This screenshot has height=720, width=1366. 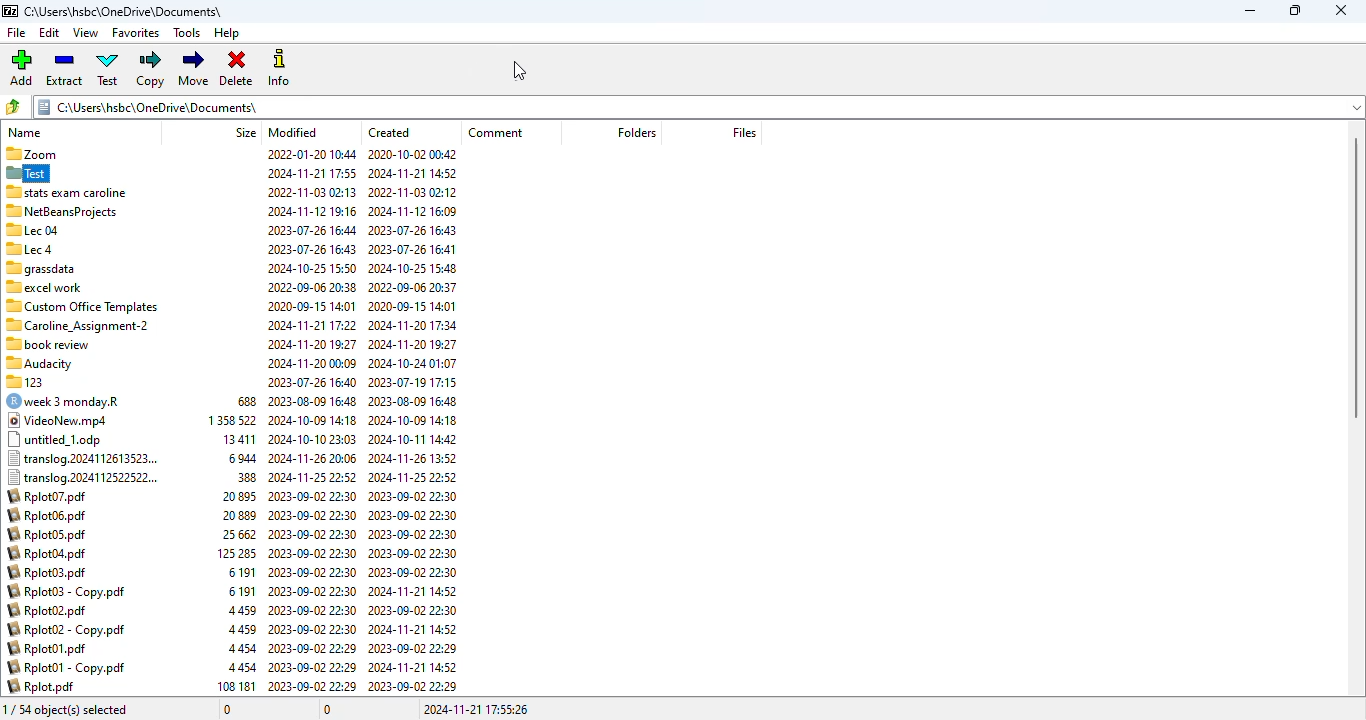 I want to click on file, so click(x=16, y=33).